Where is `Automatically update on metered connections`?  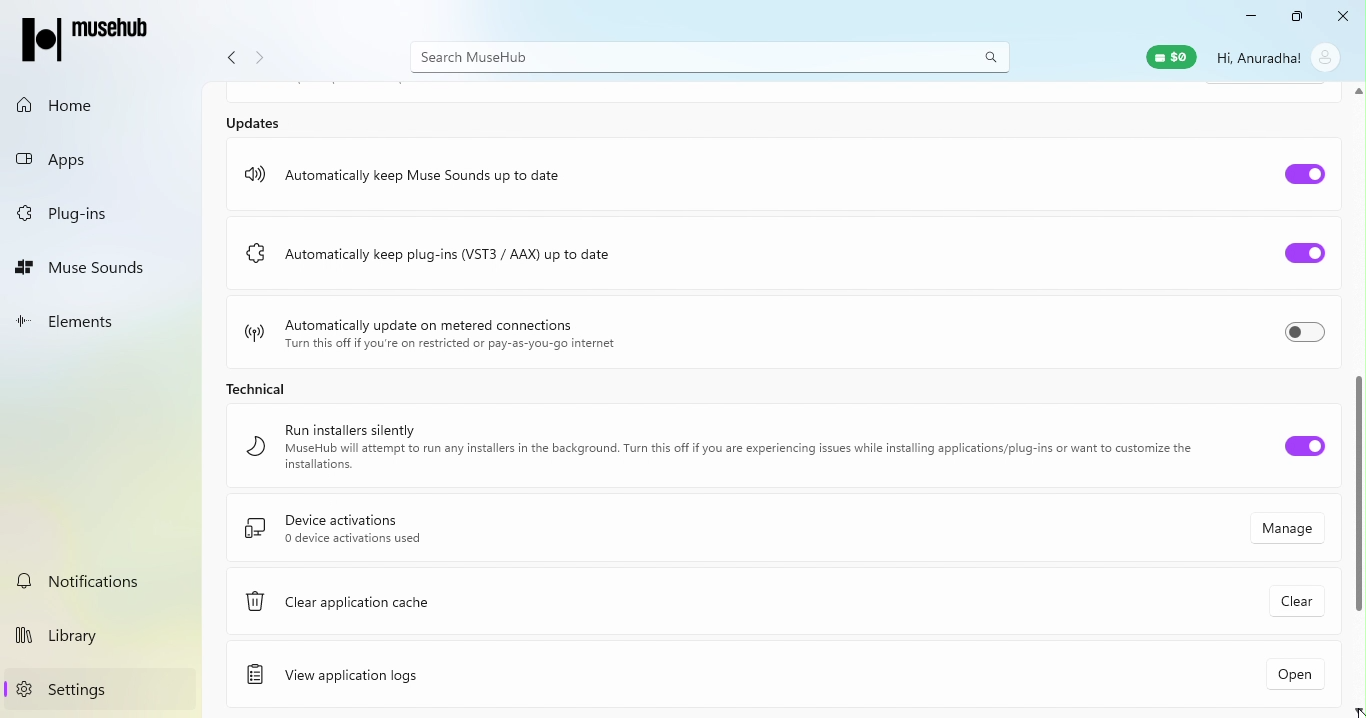 Automatically update on metered connections is located at coordinates (445, 334).